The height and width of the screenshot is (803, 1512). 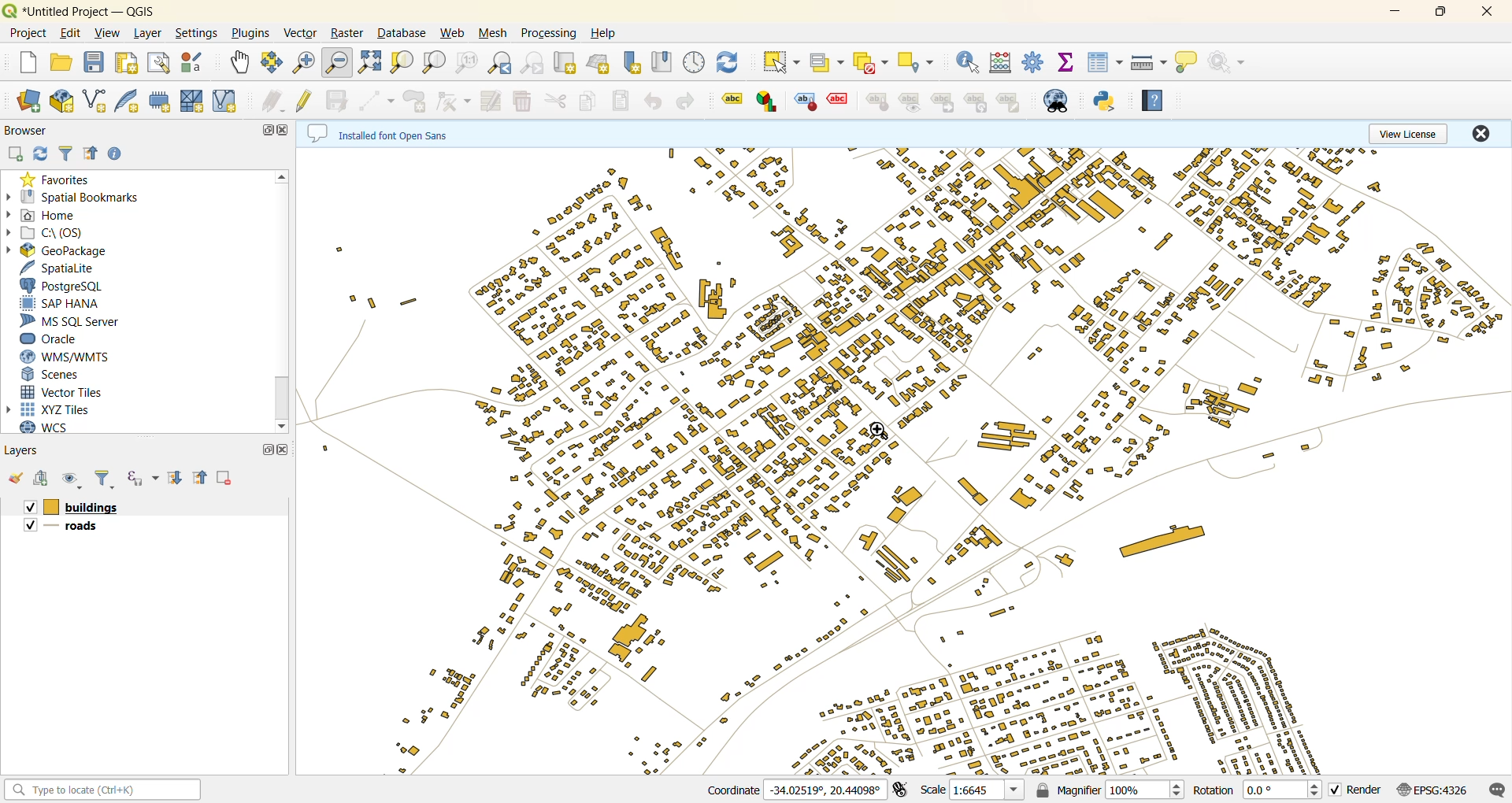 What do you see at coordinates (943, 103) in the screenshot?
I see `label` at bounding box center [943, 103].